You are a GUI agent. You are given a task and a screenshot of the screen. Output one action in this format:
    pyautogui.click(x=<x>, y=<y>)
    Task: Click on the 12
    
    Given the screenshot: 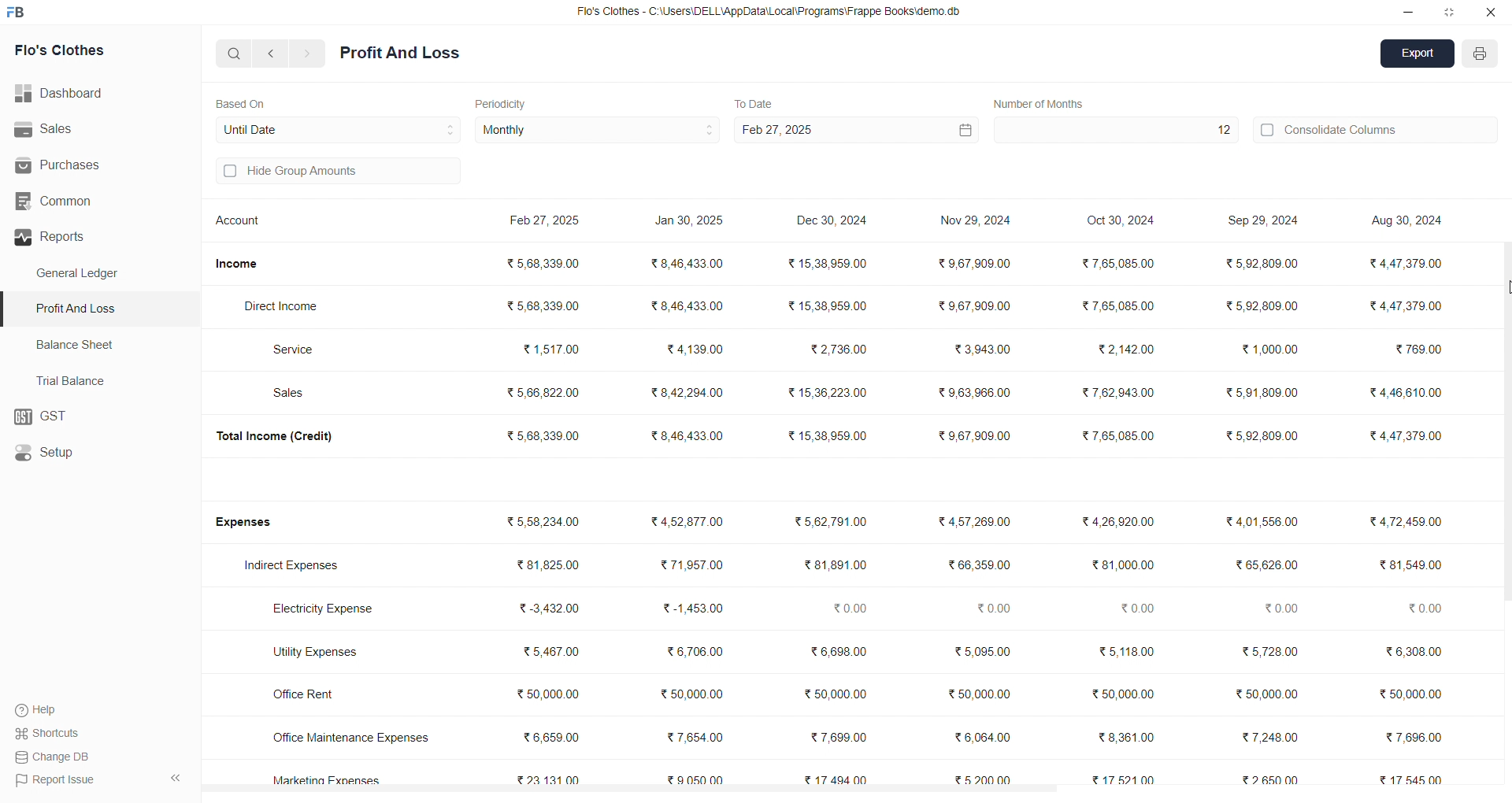 What is the action you would take?
    pyautogui.click(x=1114, y=130)
    